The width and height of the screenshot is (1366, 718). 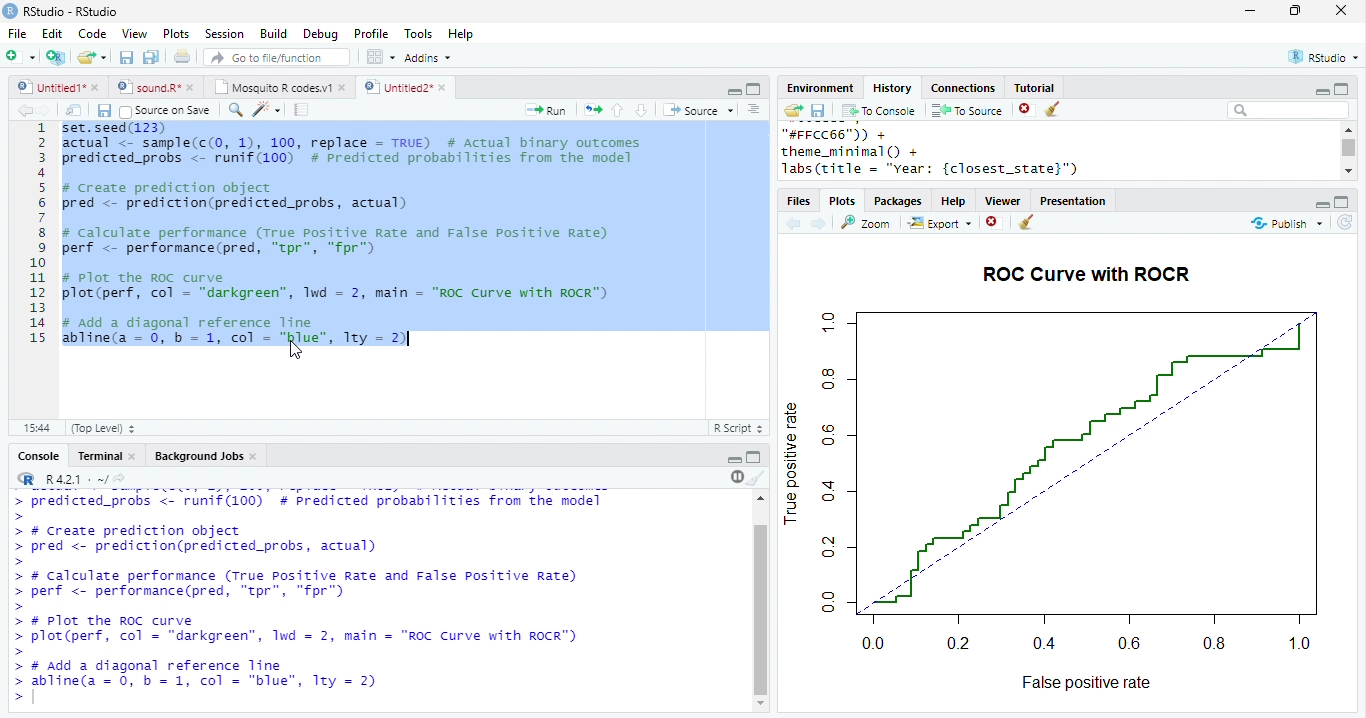 What do you see at coordinates (17, 34) in the screenshot?
I see `File` at bounding box center [17, 34].